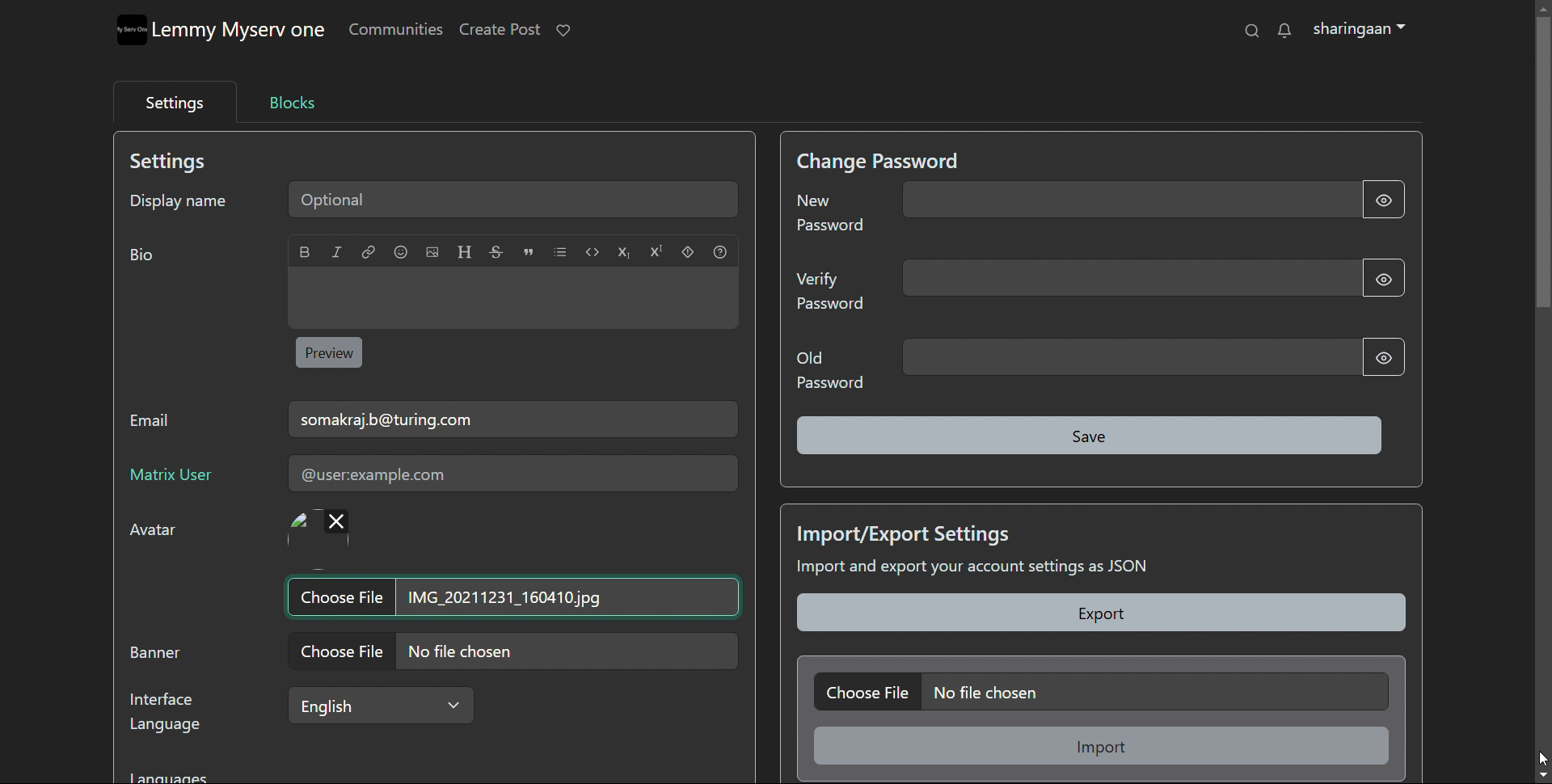 This screenshot has height=784, width=1552. What do you see at coordinates (563, 31) in the screenshot?
I see `donate to lemmy` at bounding box center [563, 31].